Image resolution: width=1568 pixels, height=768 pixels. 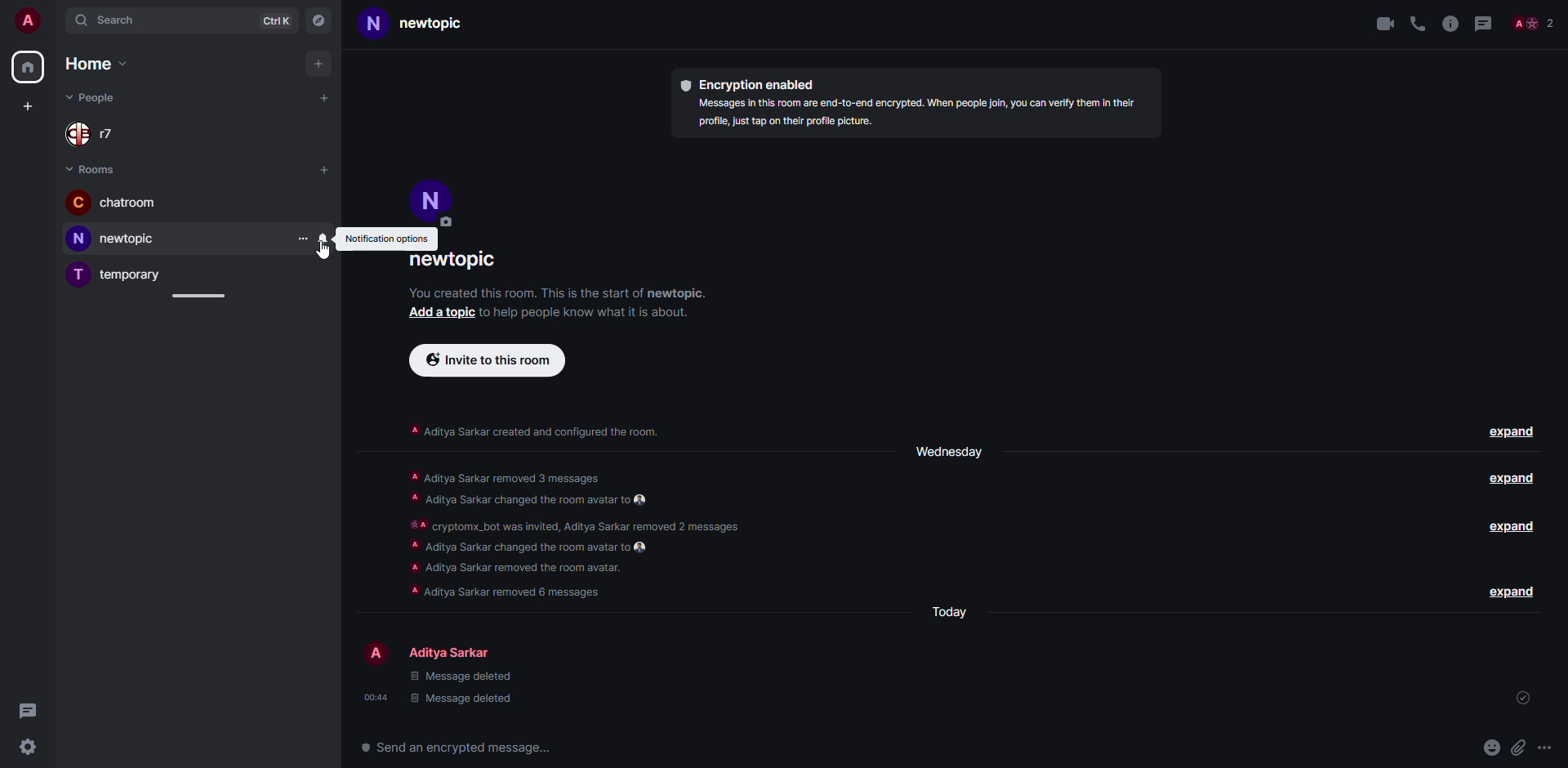 What do you see at coordinates (384, 239) in the screenshot?
I see `notification setting` at bounding box center [384, 239].